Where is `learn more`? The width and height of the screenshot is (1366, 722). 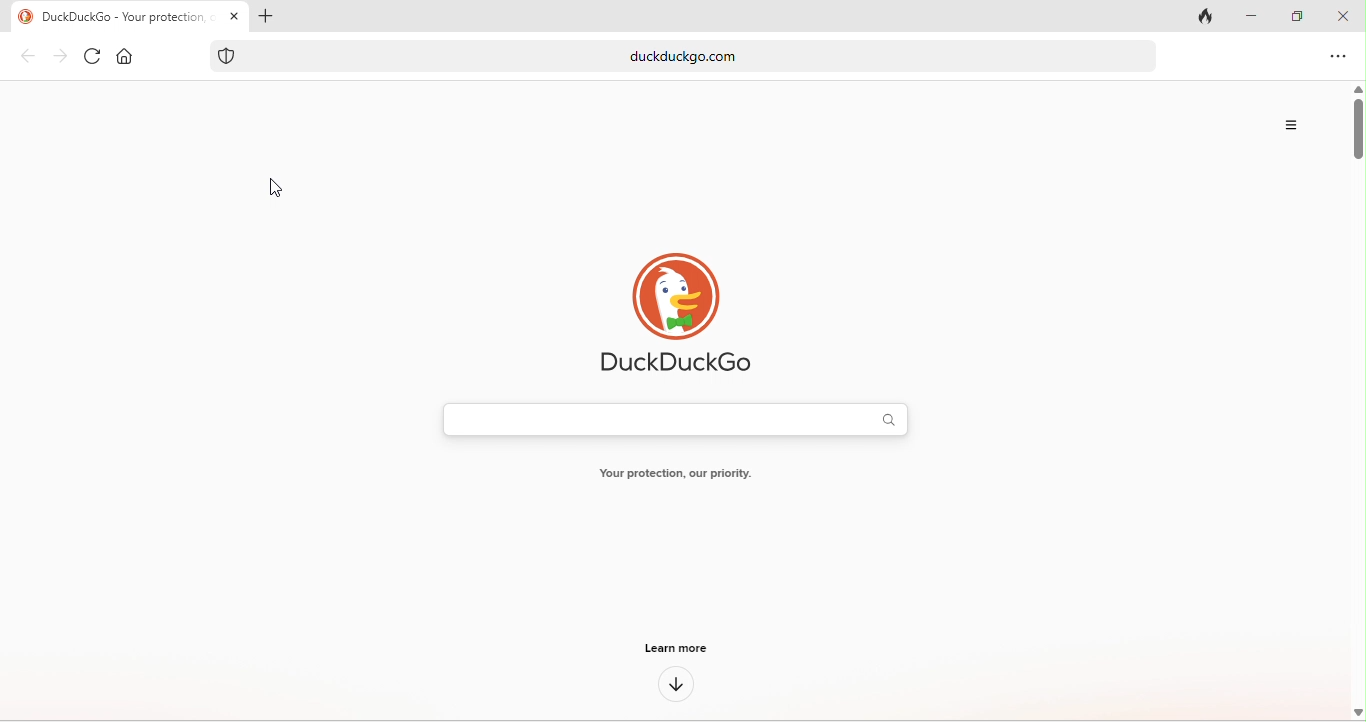 learn more is located at coordinates (673, 651).